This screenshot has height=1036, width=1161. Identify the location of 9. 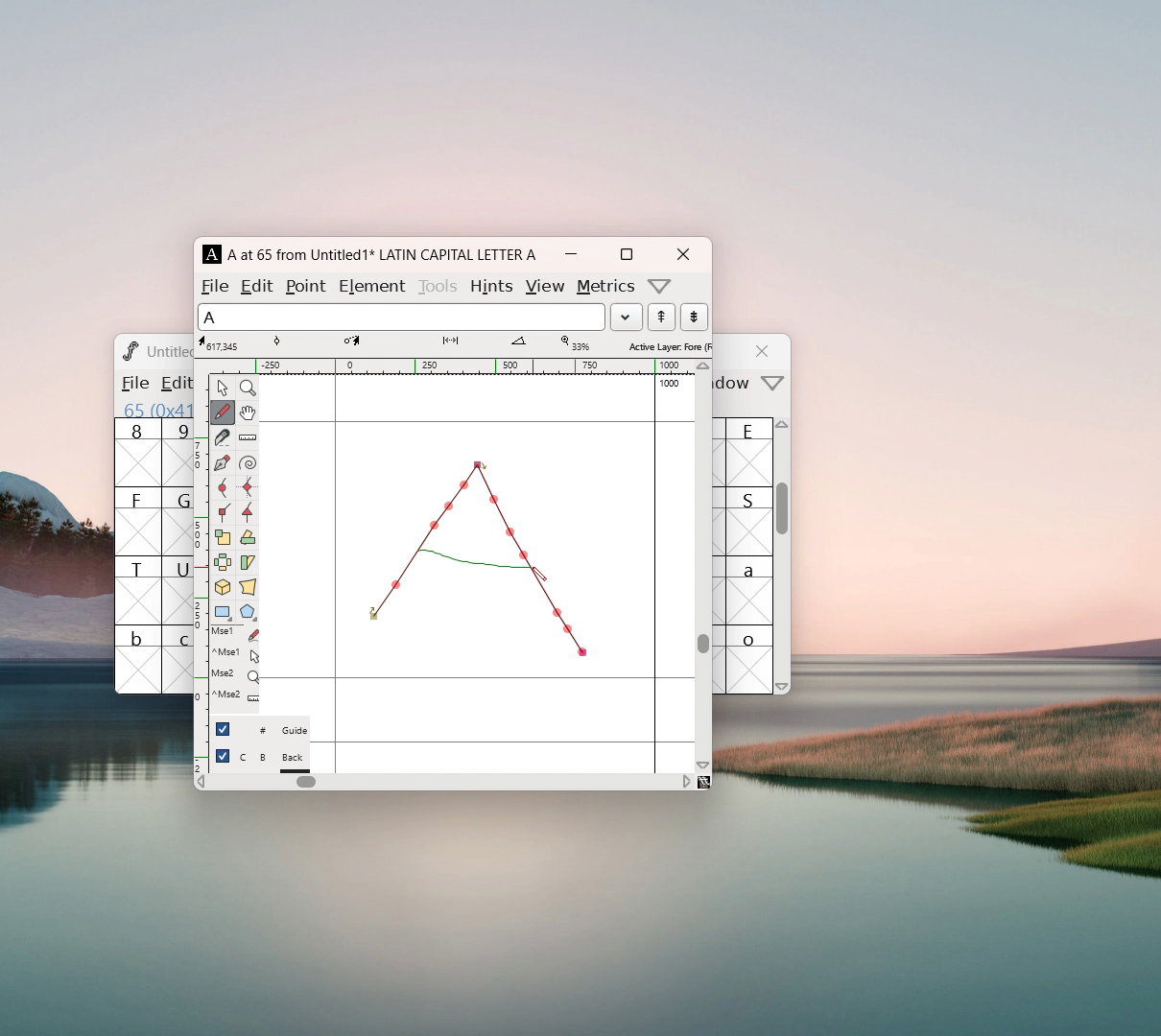
(178, 452).